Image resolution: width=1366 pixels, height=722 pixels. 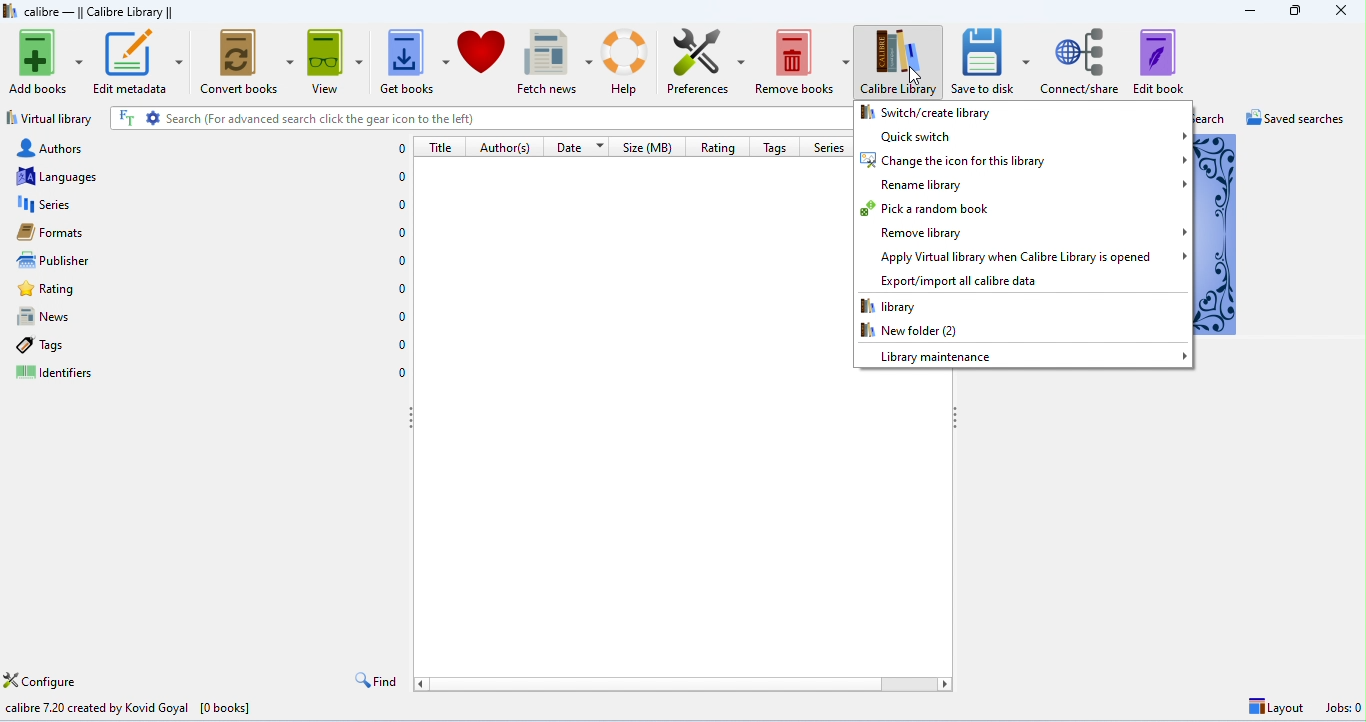 I want to click on cursor, so click(x=914, y=79).